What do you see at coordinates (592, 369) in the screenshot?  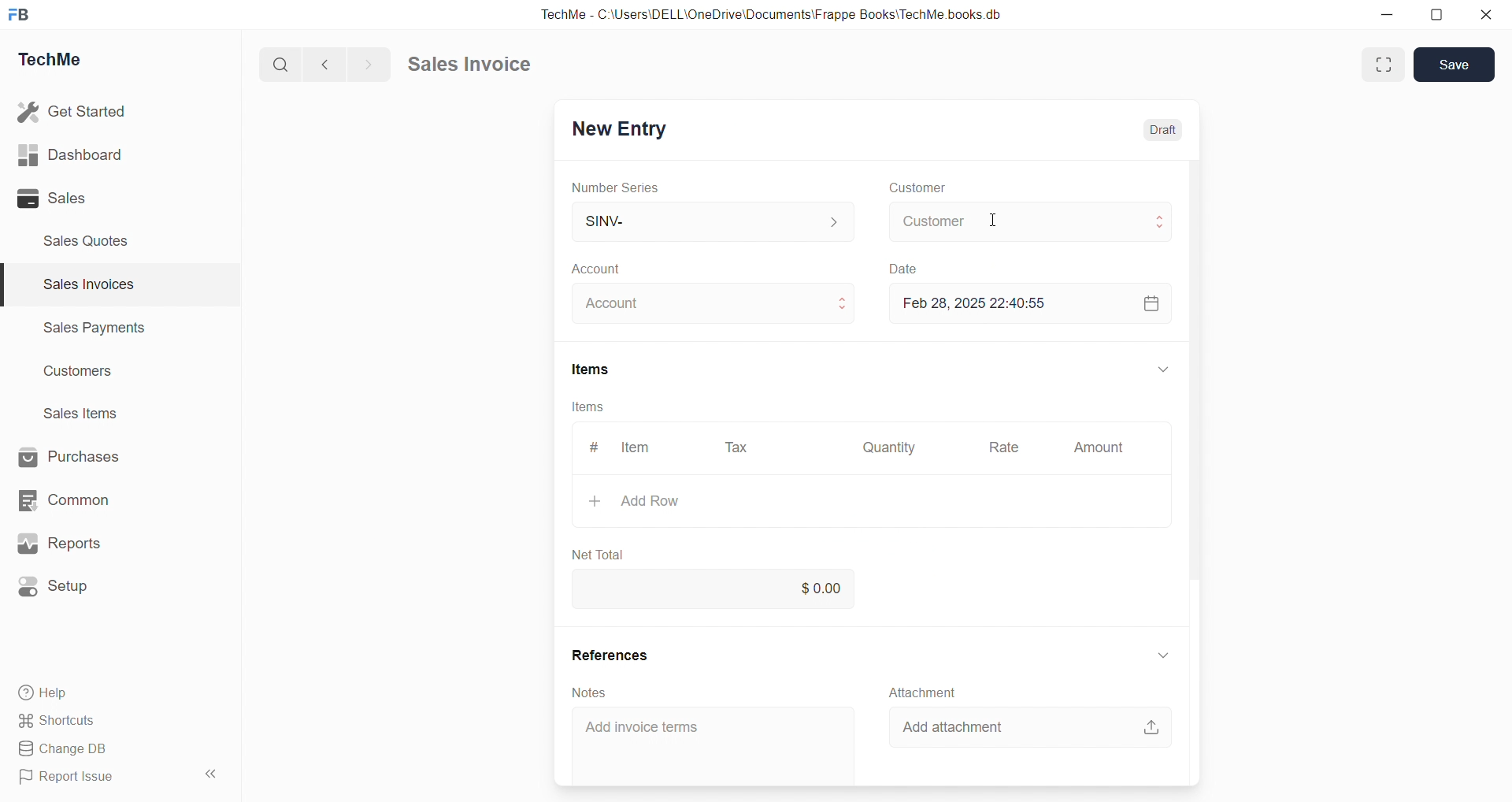 I see `Items` at bounding box center [592, 369].